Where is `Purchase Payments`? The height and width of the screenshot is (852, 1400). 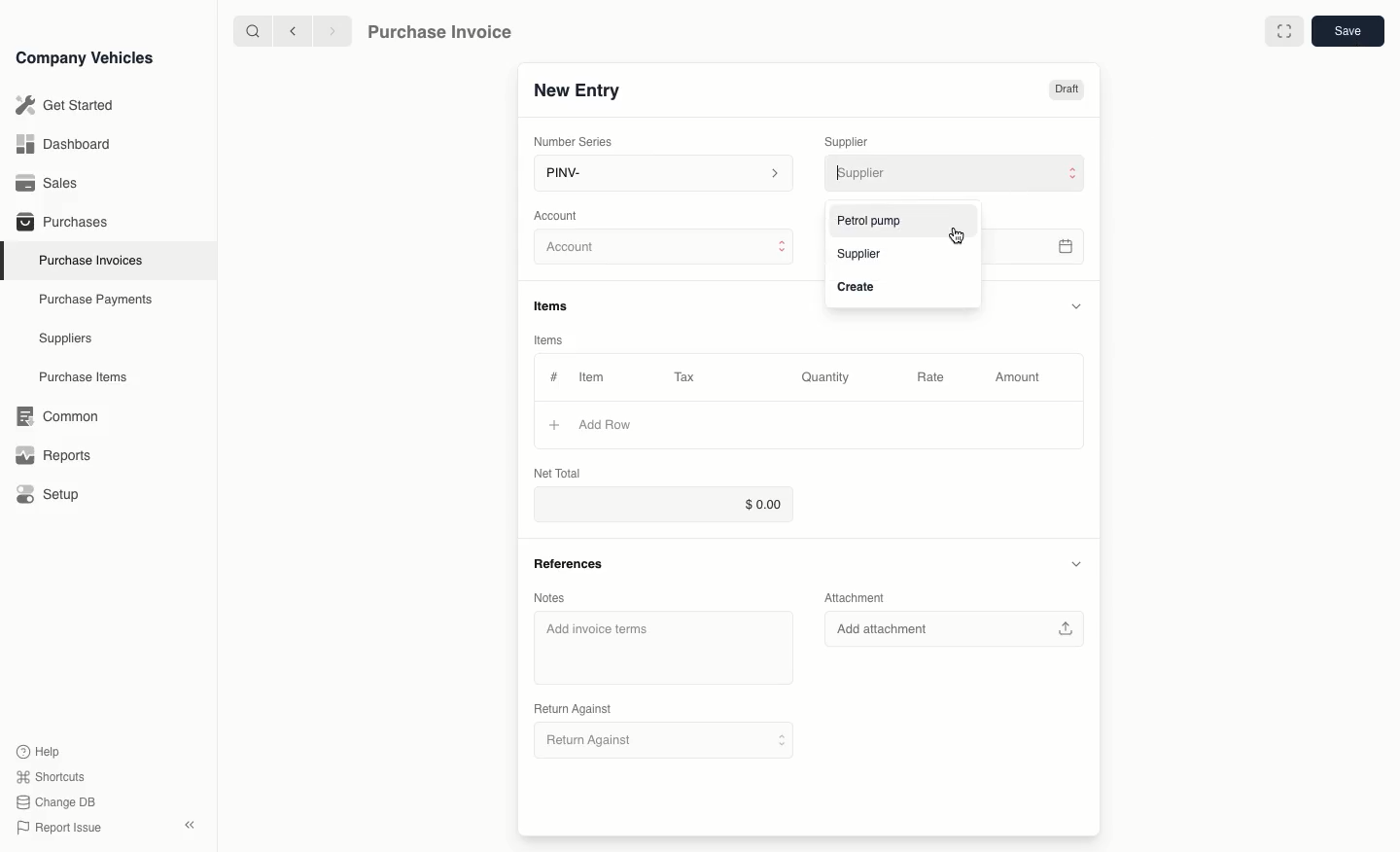
Purchase Payments is located at coordinates (93, 300).